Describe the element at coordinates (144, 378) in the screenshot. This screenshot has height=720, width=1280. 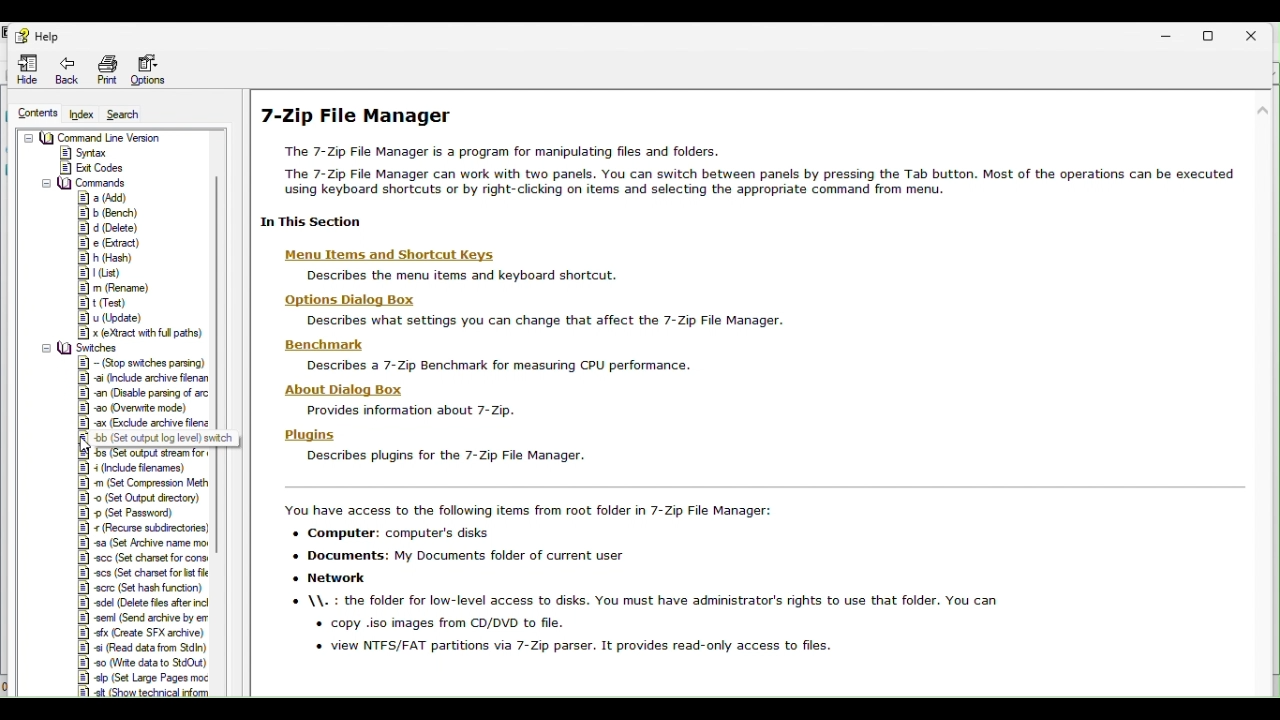
I see `|Z] ai (Include archive fienan` at that location.